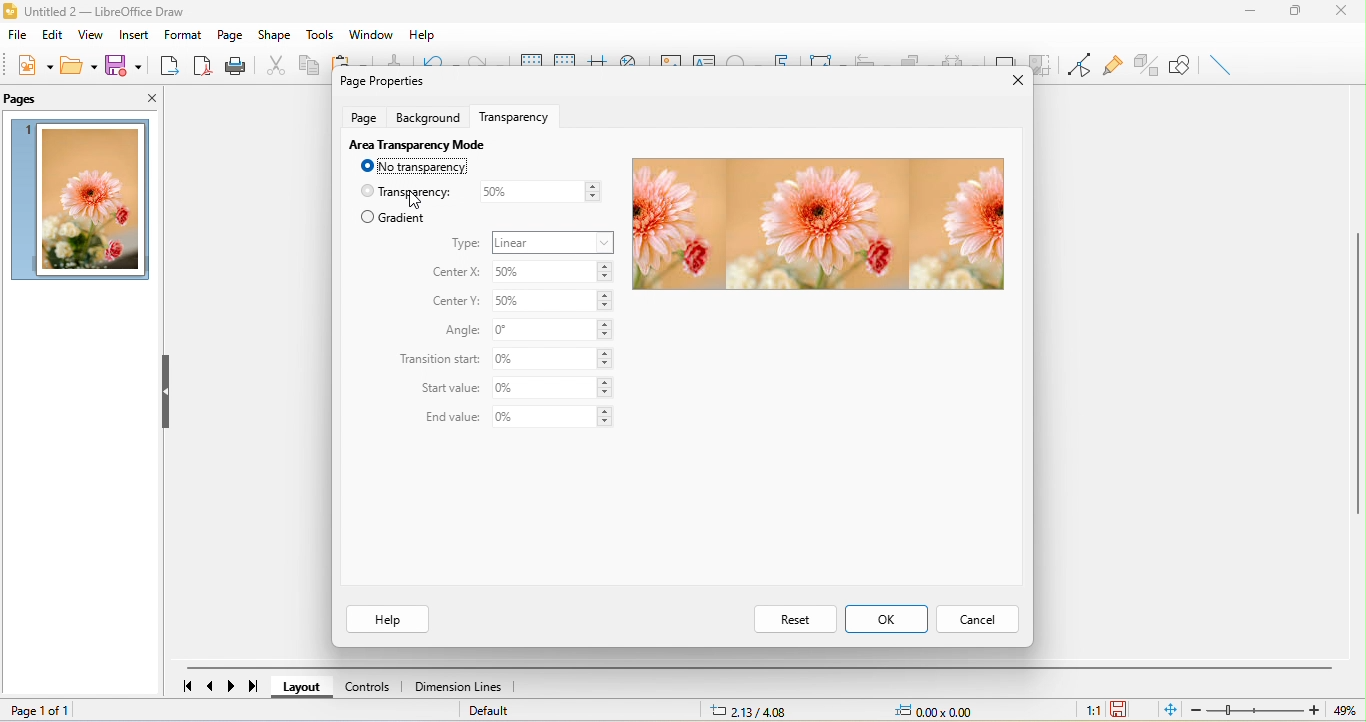 This screenshot has width=1366, height=722. Describe the element at coordinates (318, 34) in the screenshot. I see `tools` at that location.